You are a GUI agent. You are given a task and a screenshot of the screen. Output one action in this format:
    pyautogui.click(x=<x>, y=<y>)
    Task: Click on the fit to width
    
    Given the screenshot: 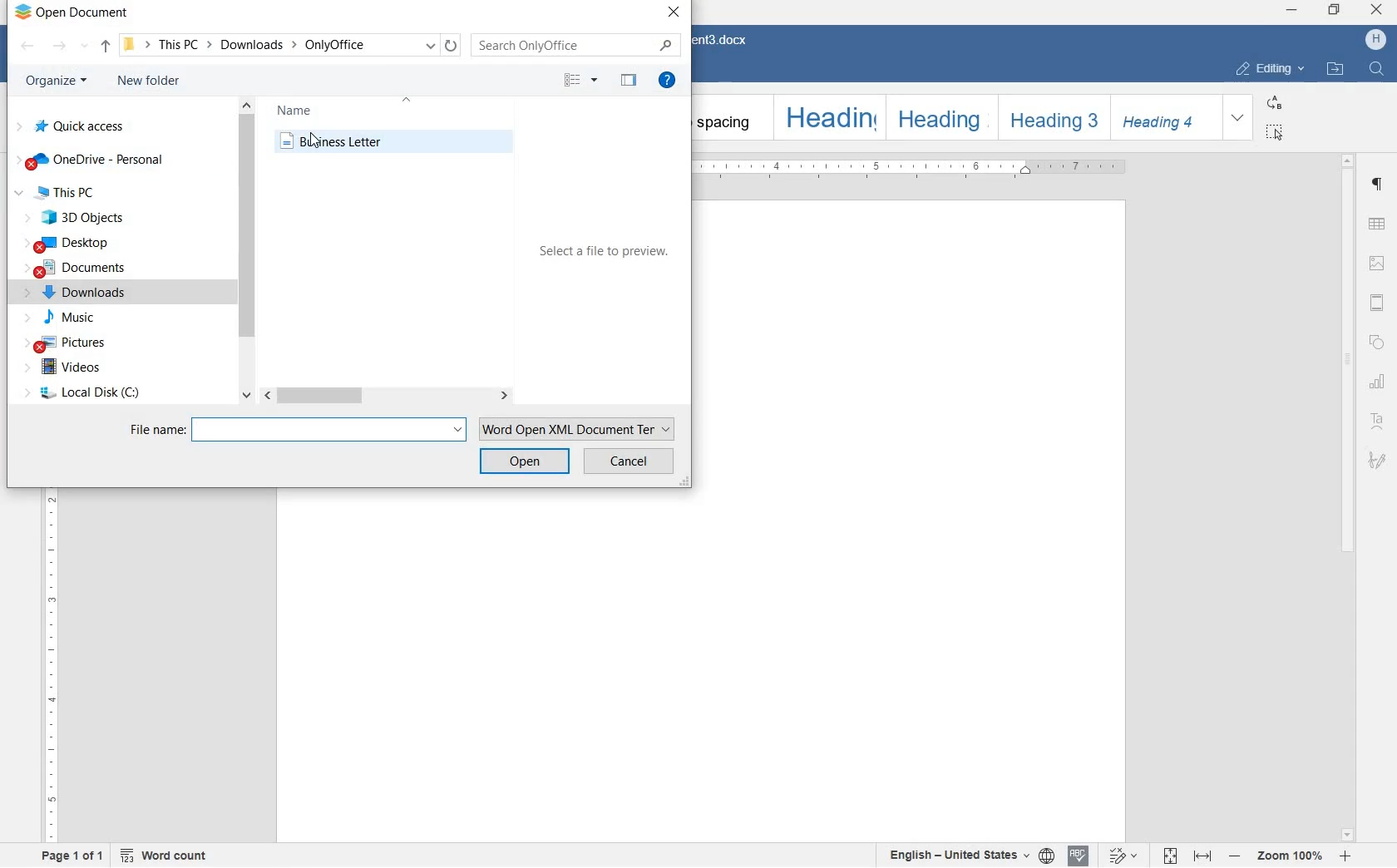 What is the action you would take?
    pyautogui.click(x=1203, y=853)
    